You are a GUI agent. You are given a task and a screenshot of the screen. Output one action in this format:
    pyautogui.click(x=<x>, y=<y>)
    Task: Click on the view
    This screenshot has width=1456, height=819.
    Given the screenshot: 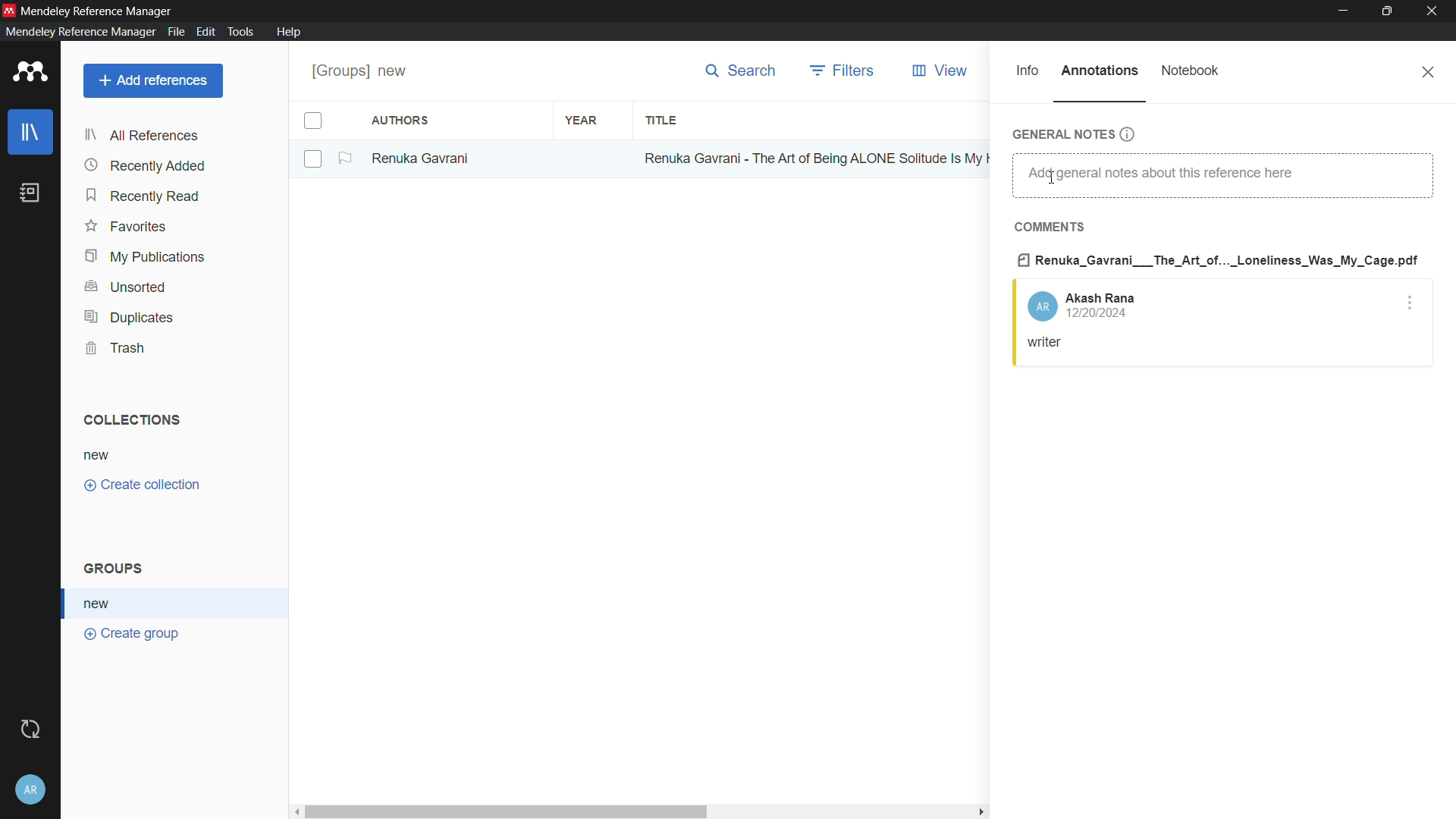 What is the action you would take?
    pyautogui.click(x=943, y=71)
    